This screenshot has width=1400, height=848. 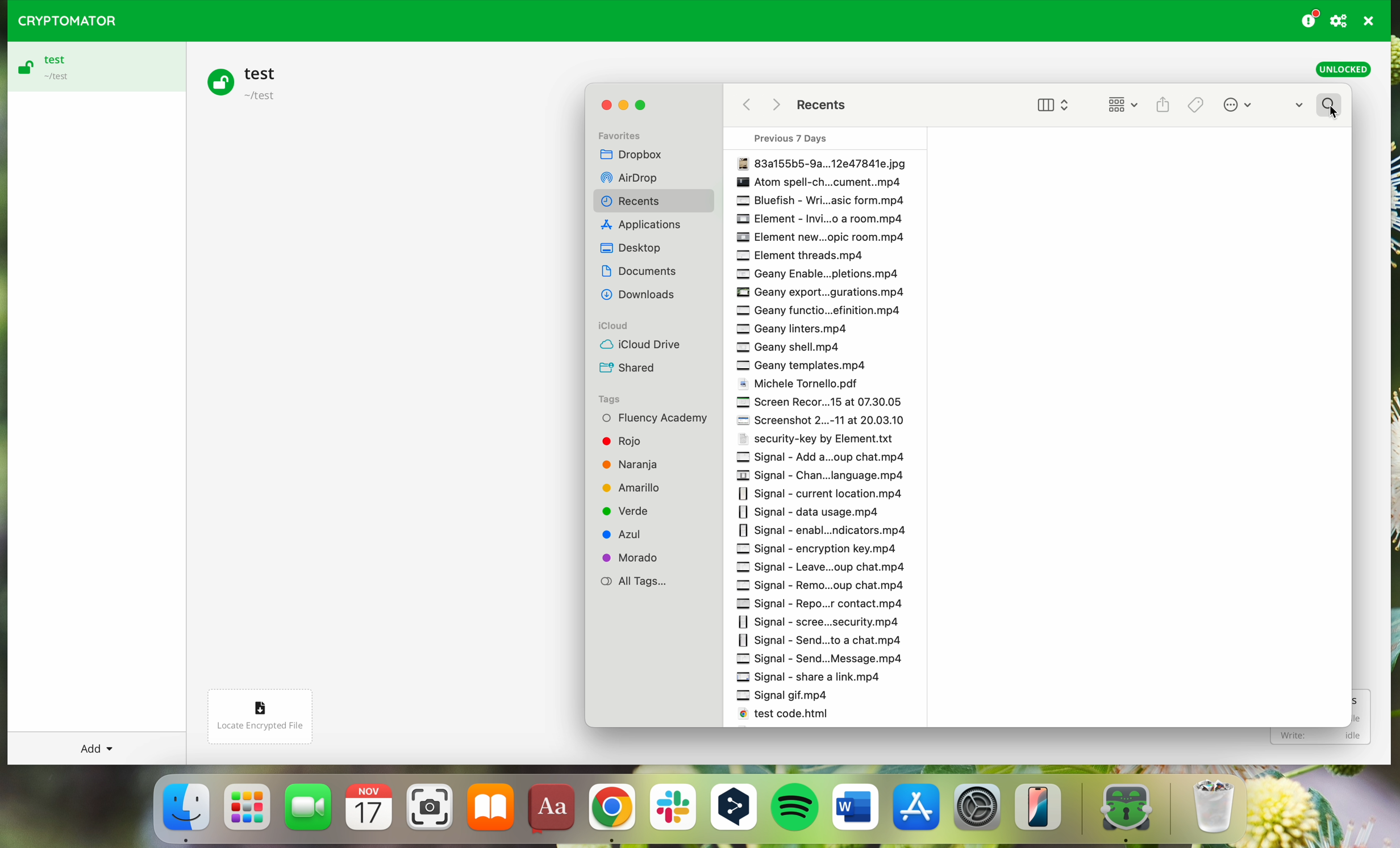 I want to click on cursor, so click(x=1336, y=118).